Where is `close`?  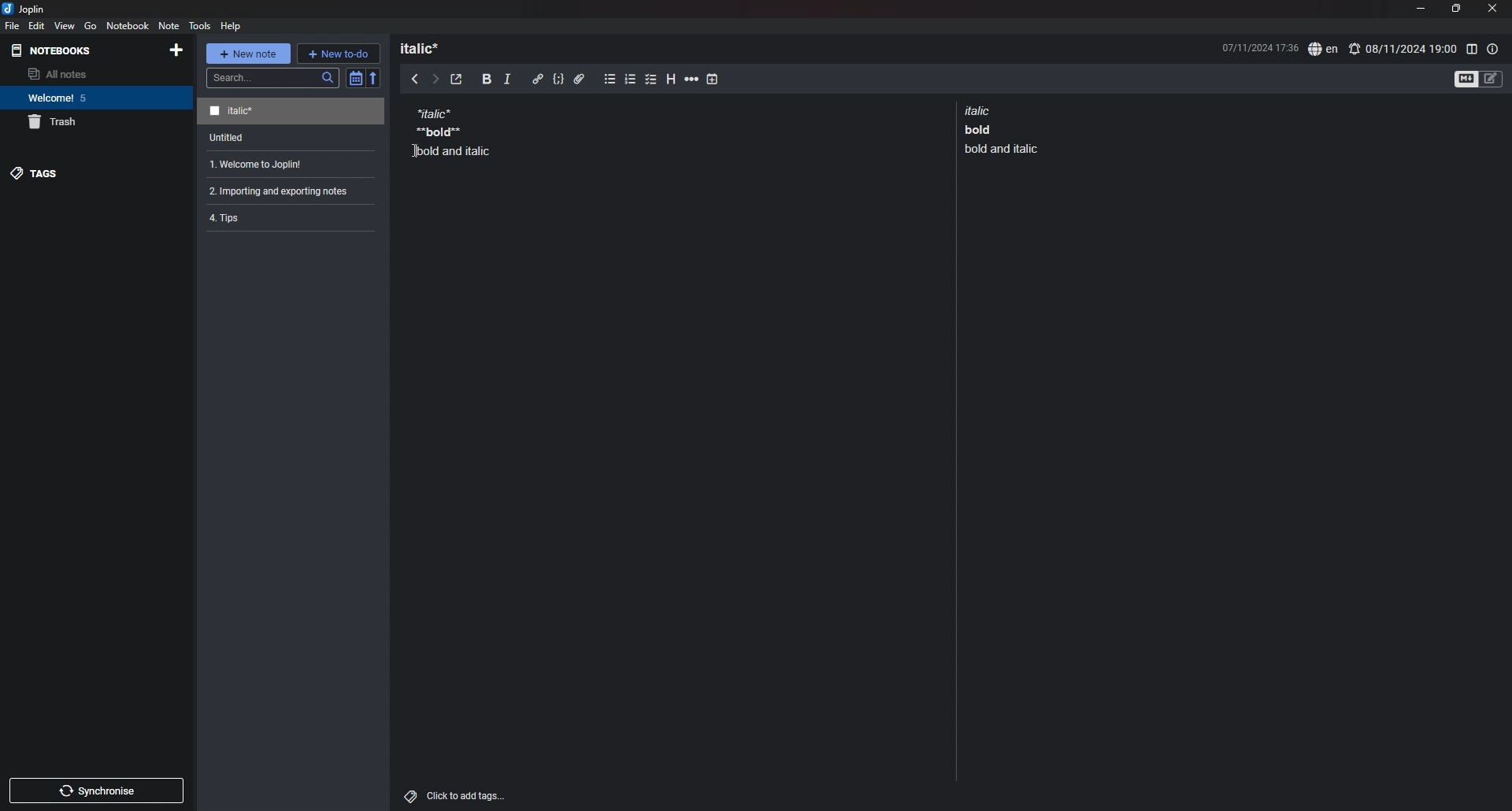
close is located at coordinates (1494, 8).